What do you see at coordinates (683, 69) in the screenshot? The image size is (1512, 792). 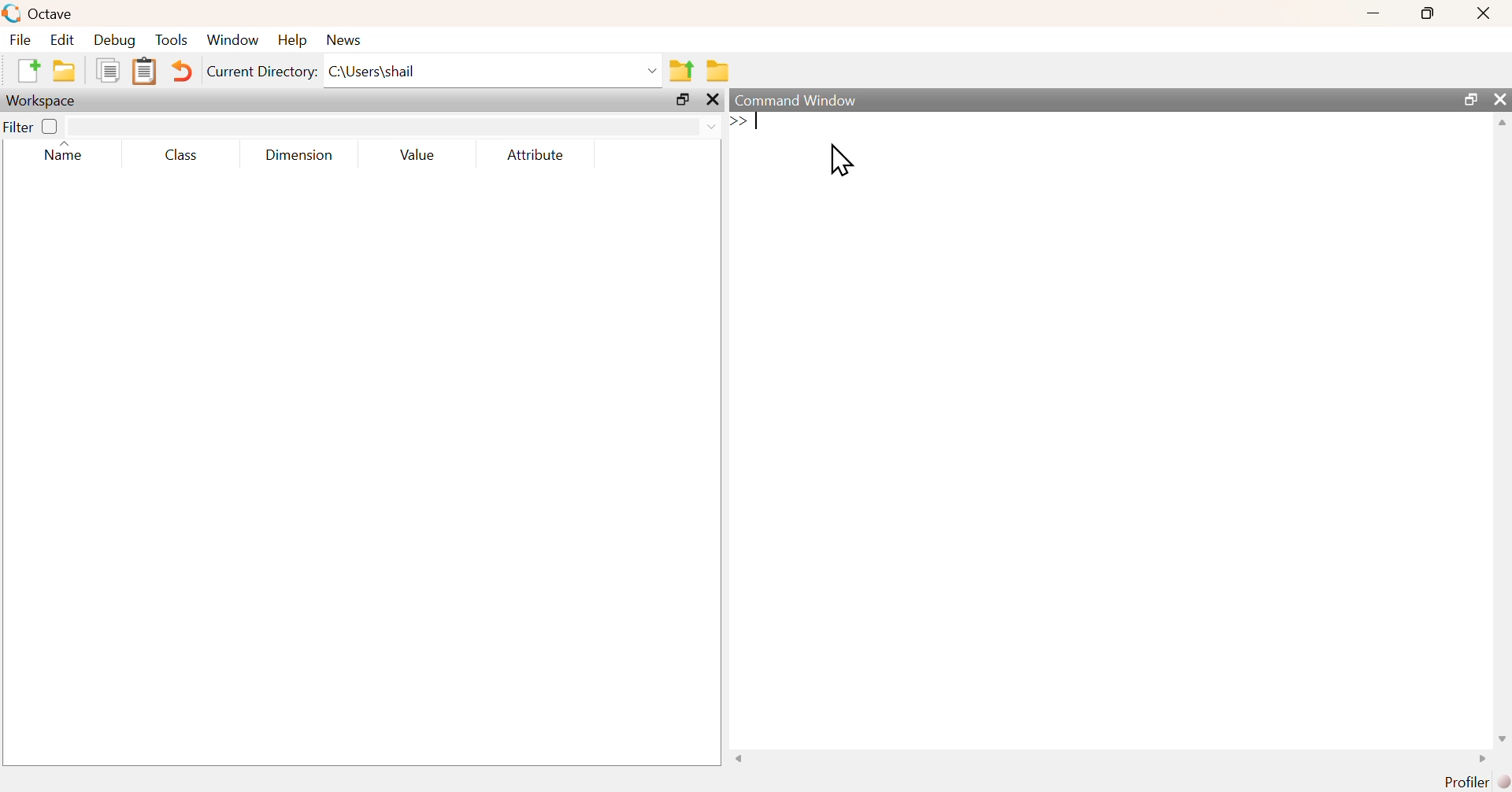 I see `one directory up` at bounding box center [683, 69].